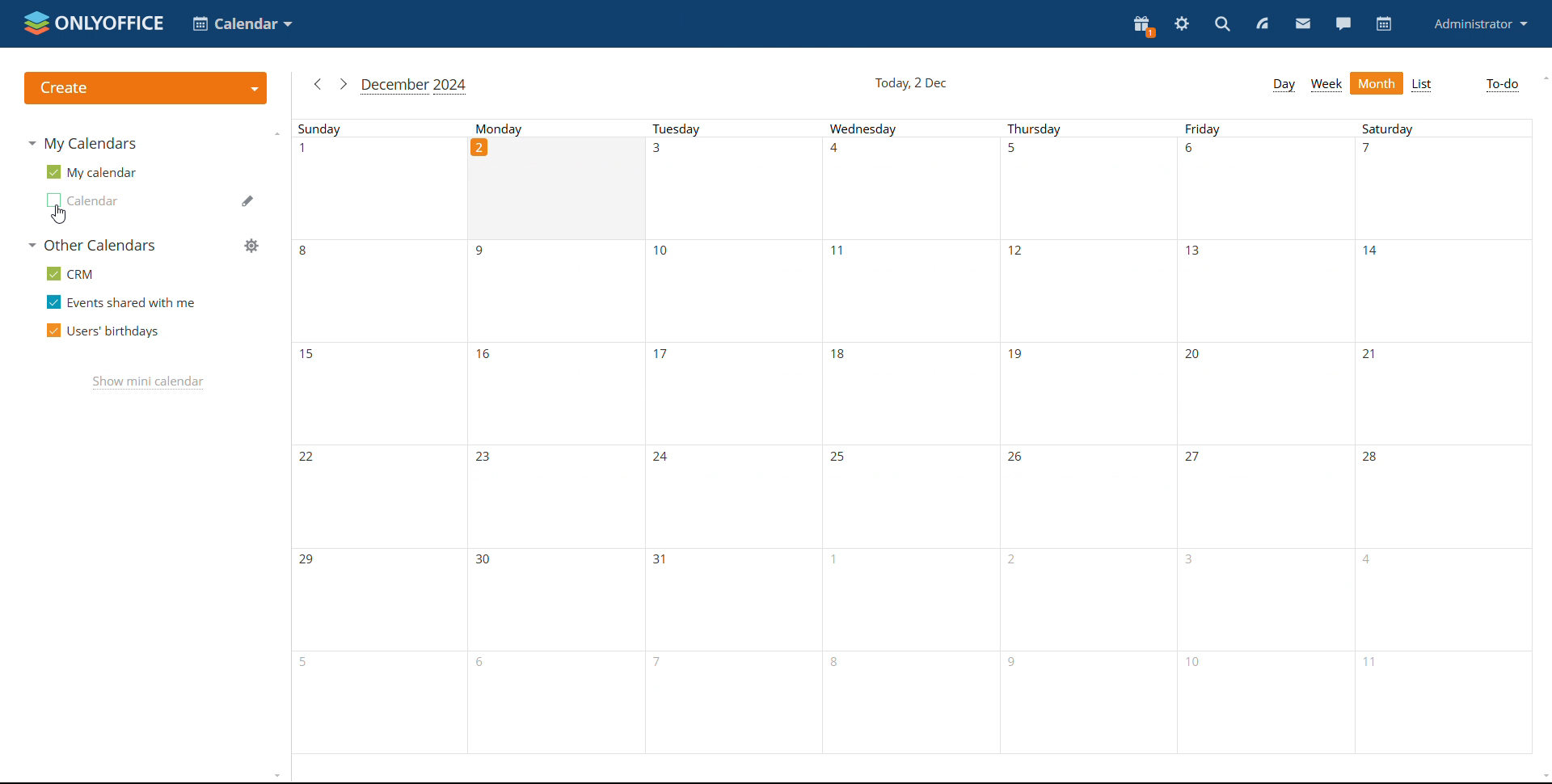 The height and width of the screenshot is (784, 1552). What do you see at coordinates (1502, 85) in the screenshot?
I see `to-do` at bounding box center [1502, 85].